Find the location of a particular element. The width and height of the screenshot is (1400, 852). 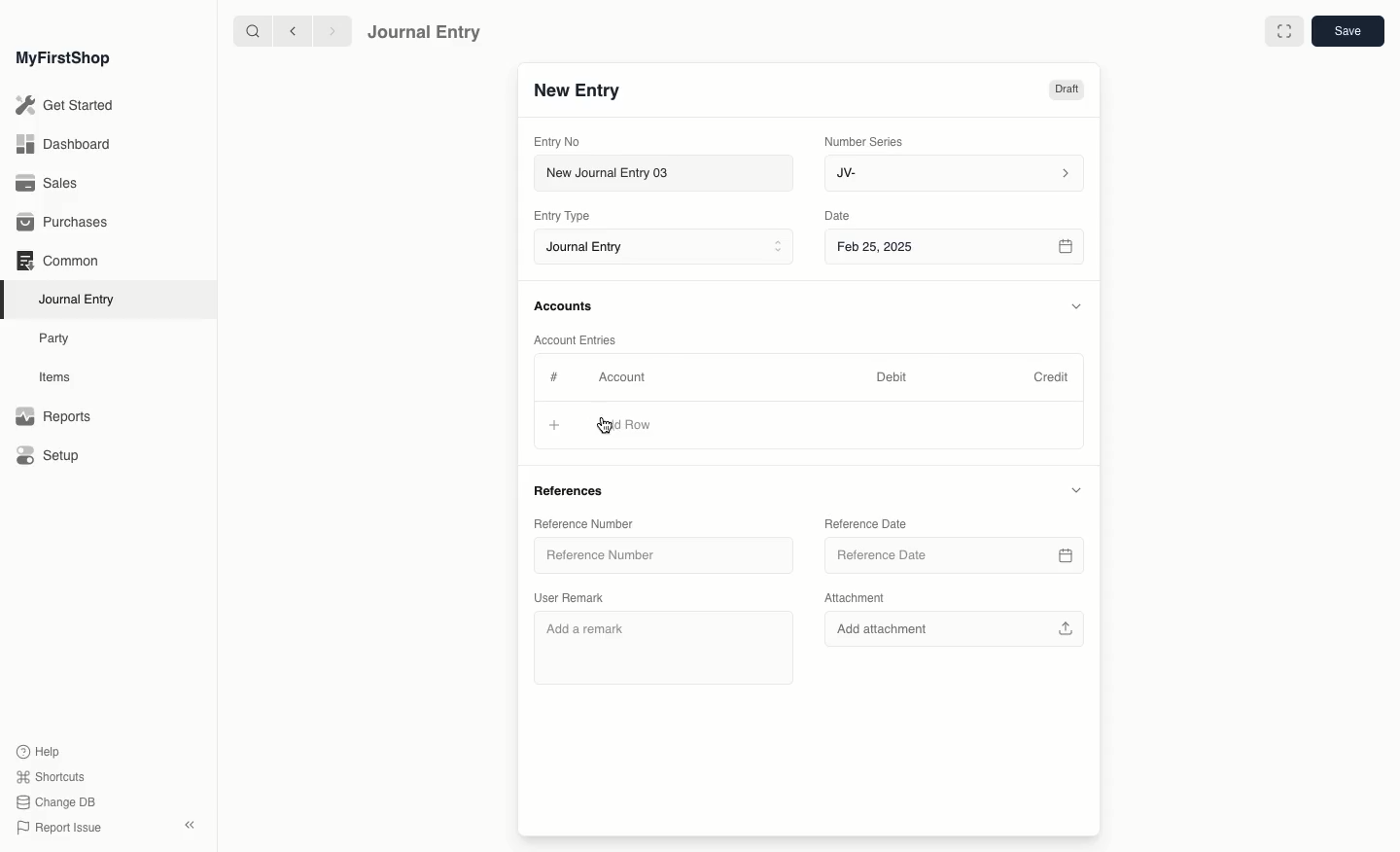

Setup is located at coordinates (50, 457).